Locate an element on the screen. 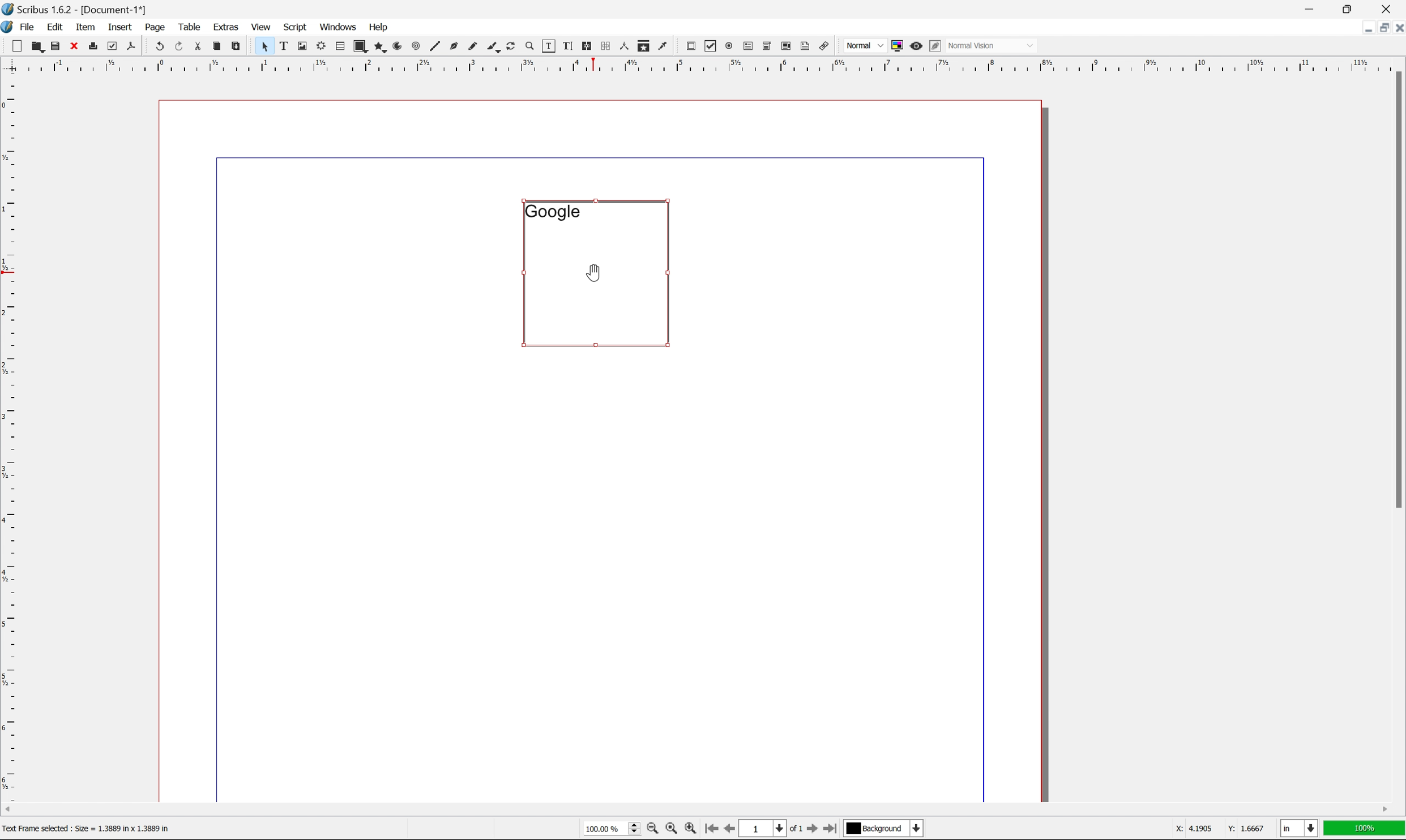 The width and height of the screenshot is (1406, 840). unlink text frames is located at coordinates (604, 46).